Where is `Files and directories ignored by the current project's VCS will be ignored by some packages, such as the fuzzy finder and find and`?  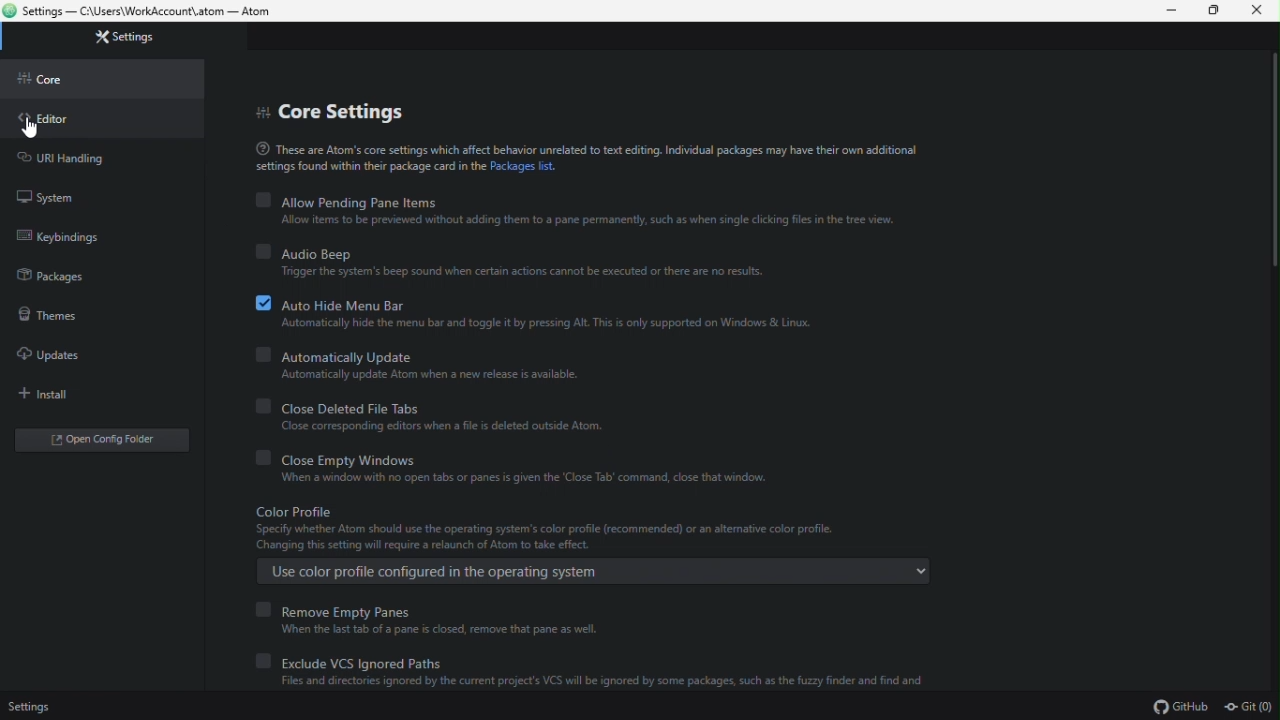 Files and directories ignored by the current project's VCS will be ignored by some packages, such as the fuzzy finder and find and is located at coordinates (599, 683).